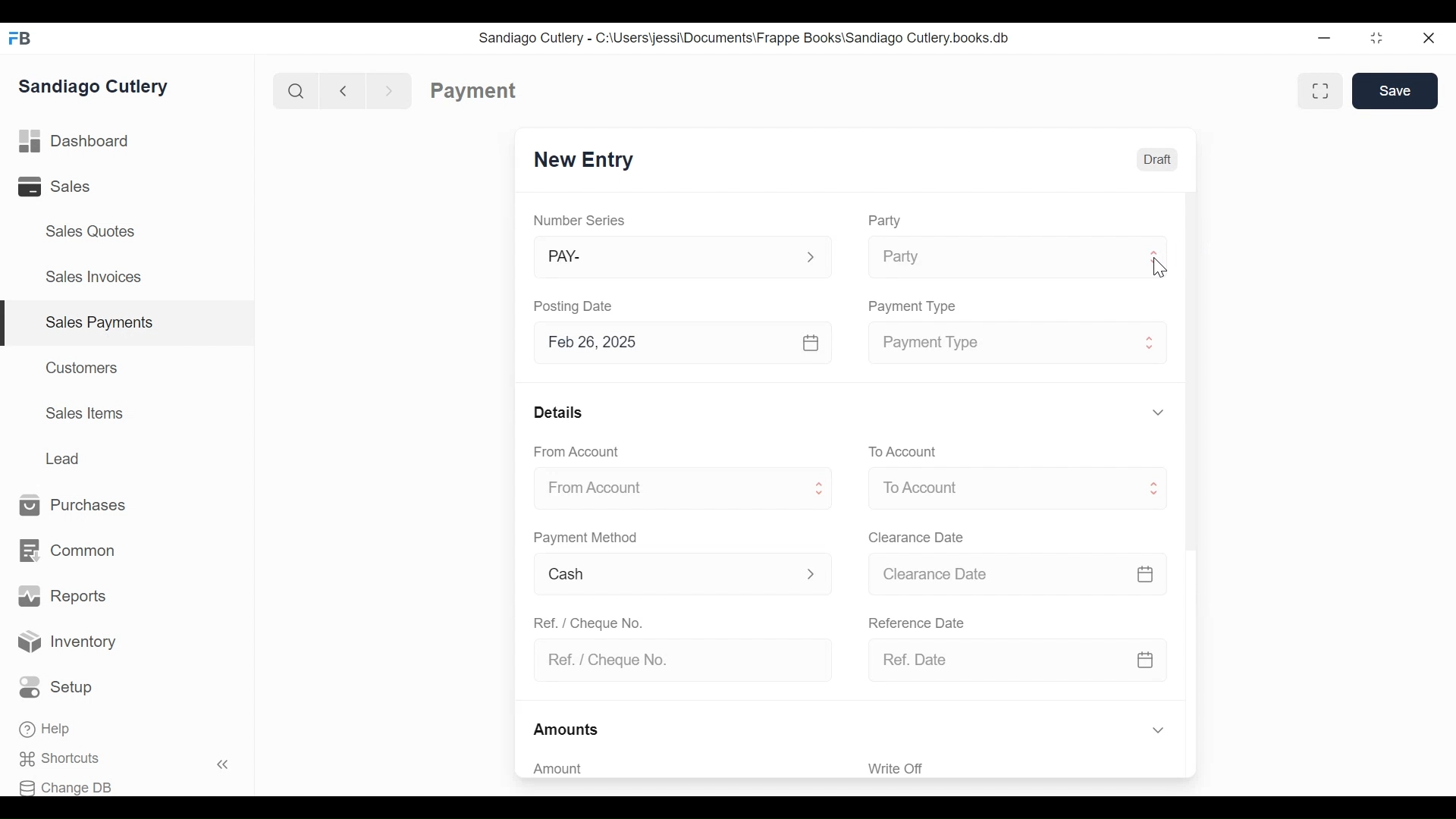 This screenshot has width=1456, height=819. What do you see at coordinates (998, 257) in the screenshot?
I see `Party` at bounding box center [998, 257].